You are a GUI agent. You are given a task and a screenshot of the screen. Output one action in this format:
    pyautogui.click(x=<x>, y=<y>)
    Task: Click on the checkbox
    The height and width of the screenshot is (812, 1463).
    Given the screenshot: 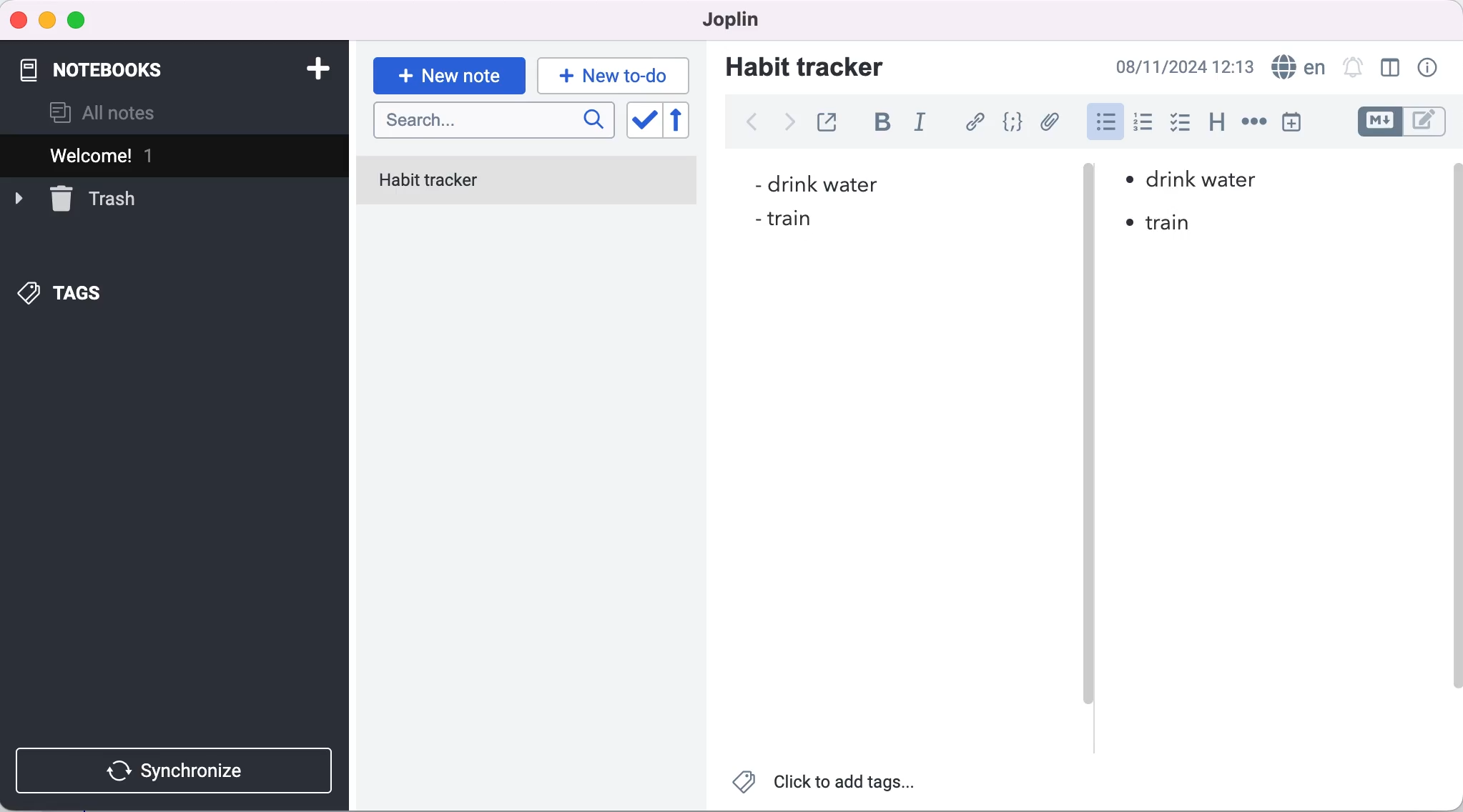 What is the action you would take?
    pyautogui.click(x=1181, y=124)
    